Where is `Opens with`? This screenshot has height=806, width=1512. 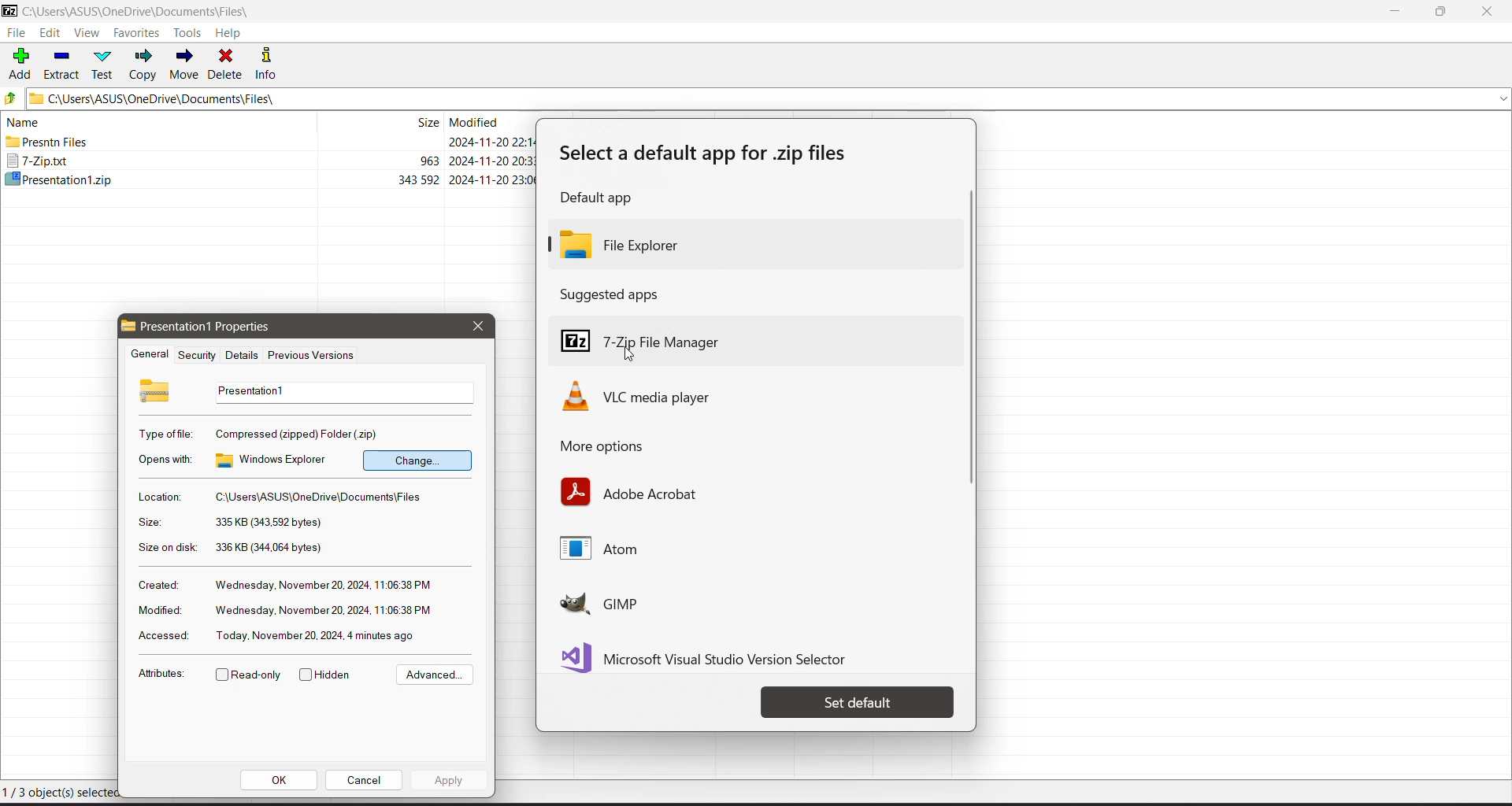
Opens with is located at coordinates (167, 460).